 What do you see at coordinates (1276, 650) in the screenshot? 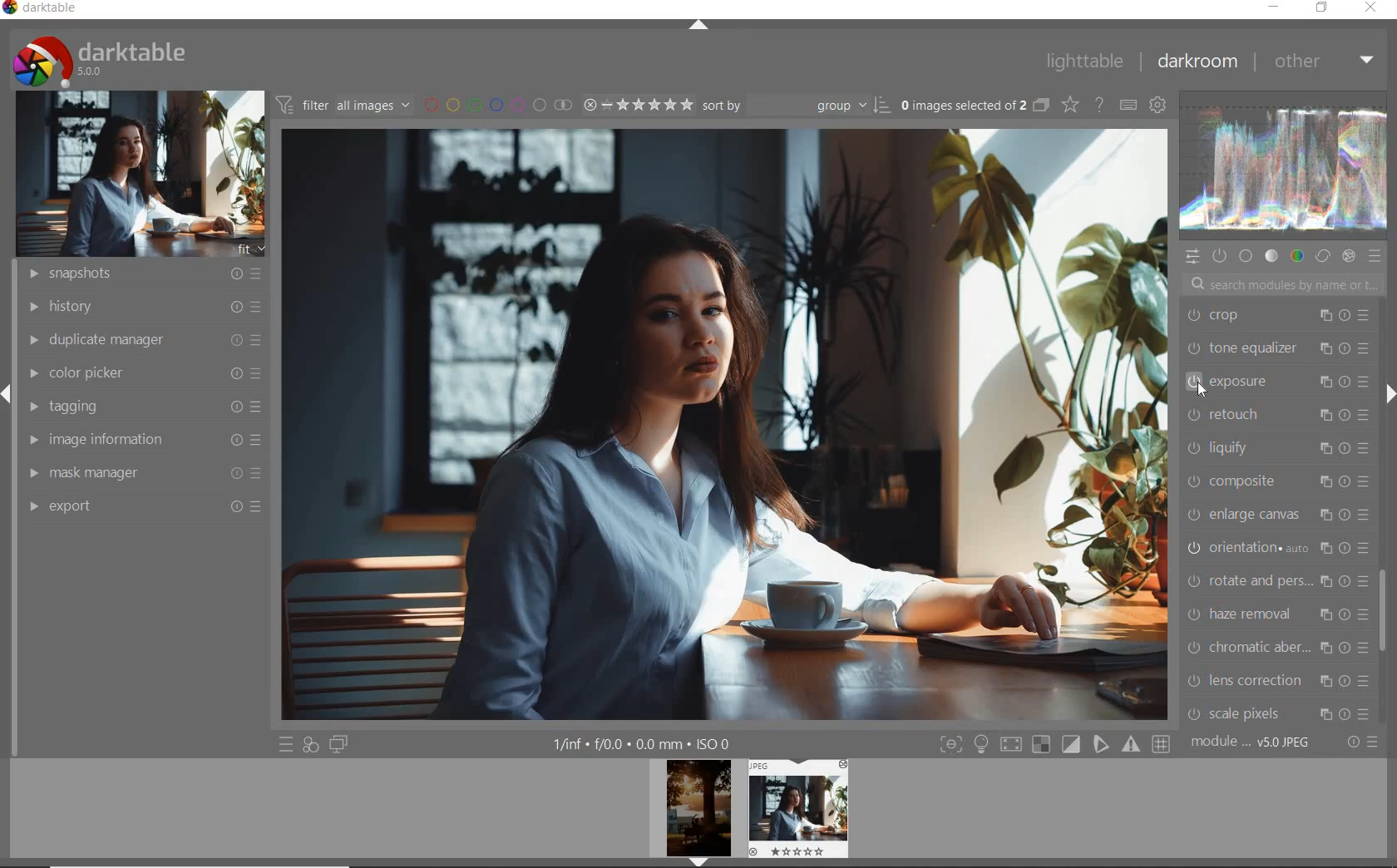
I see `CHROMATIC ABER` at bounding box center [1276, 650].